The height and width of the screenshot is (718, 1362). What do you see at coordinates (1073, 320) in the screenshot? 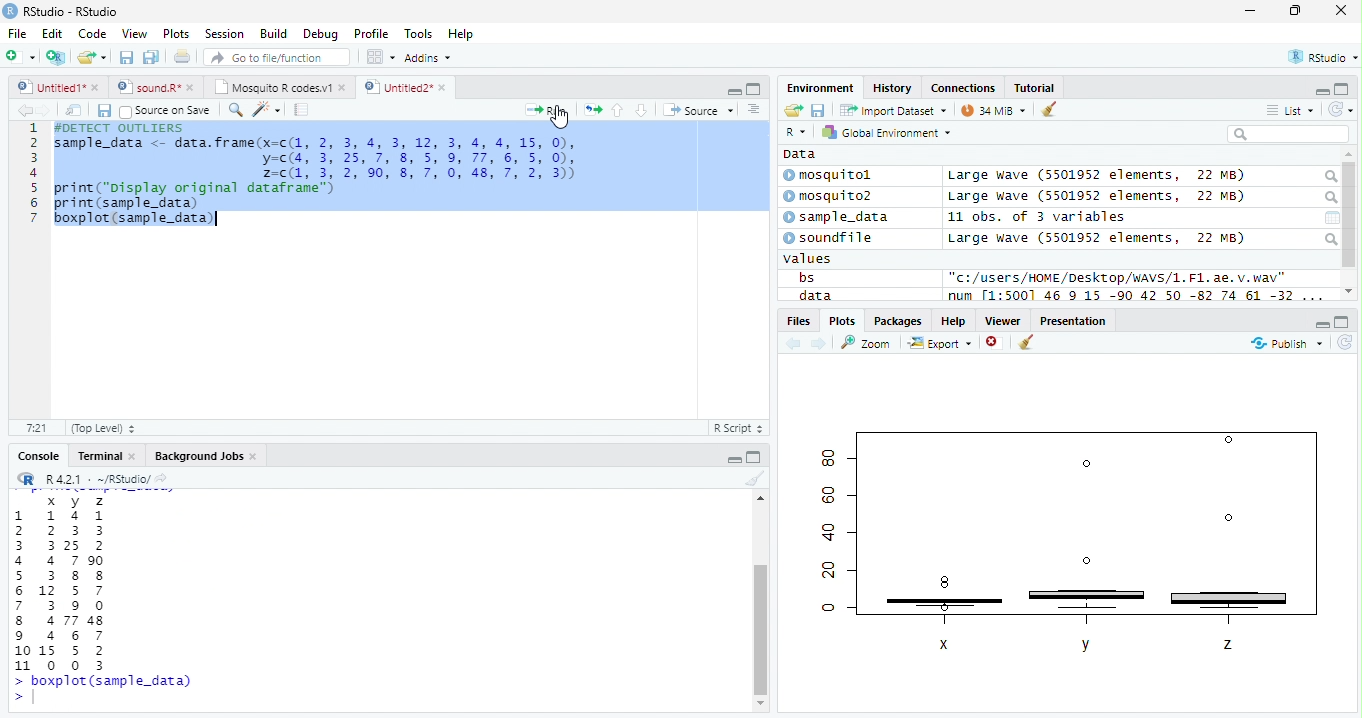
I see `Presentation` at bounding box center [1073, 320].